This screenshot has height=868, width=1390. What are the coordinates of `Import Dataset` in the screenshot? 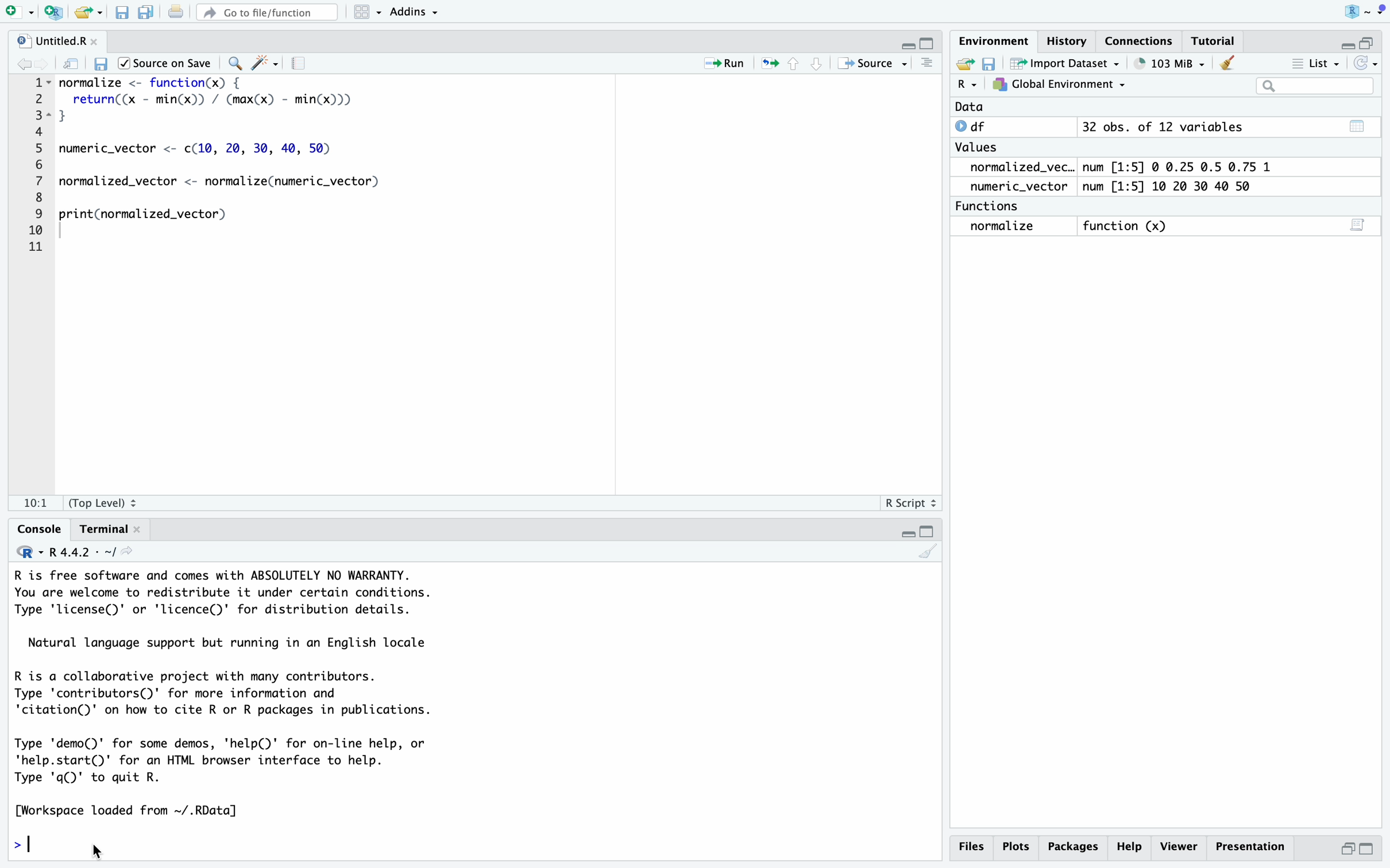 It's located at (1064, 63).